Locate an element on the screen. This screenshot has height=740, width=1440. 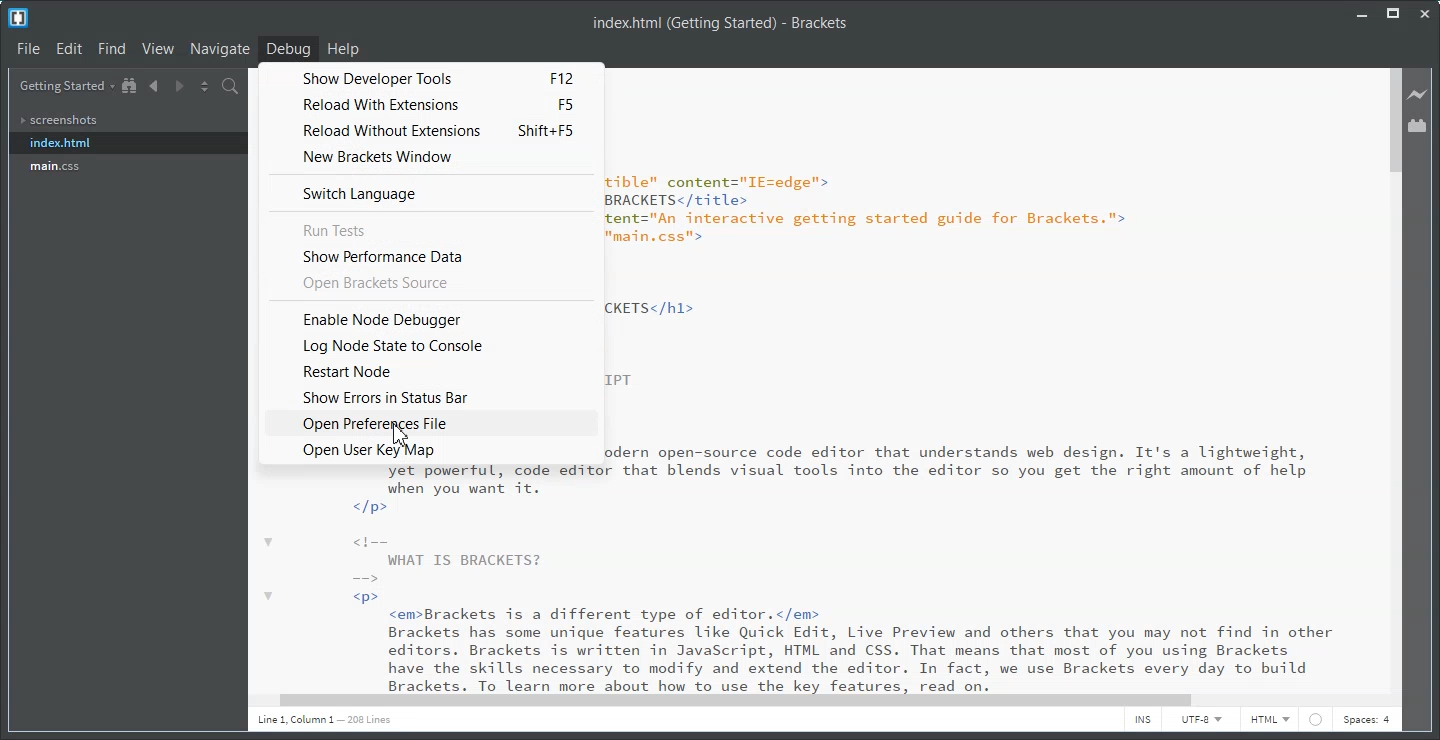
INS is located at coordinates (1143, 721).